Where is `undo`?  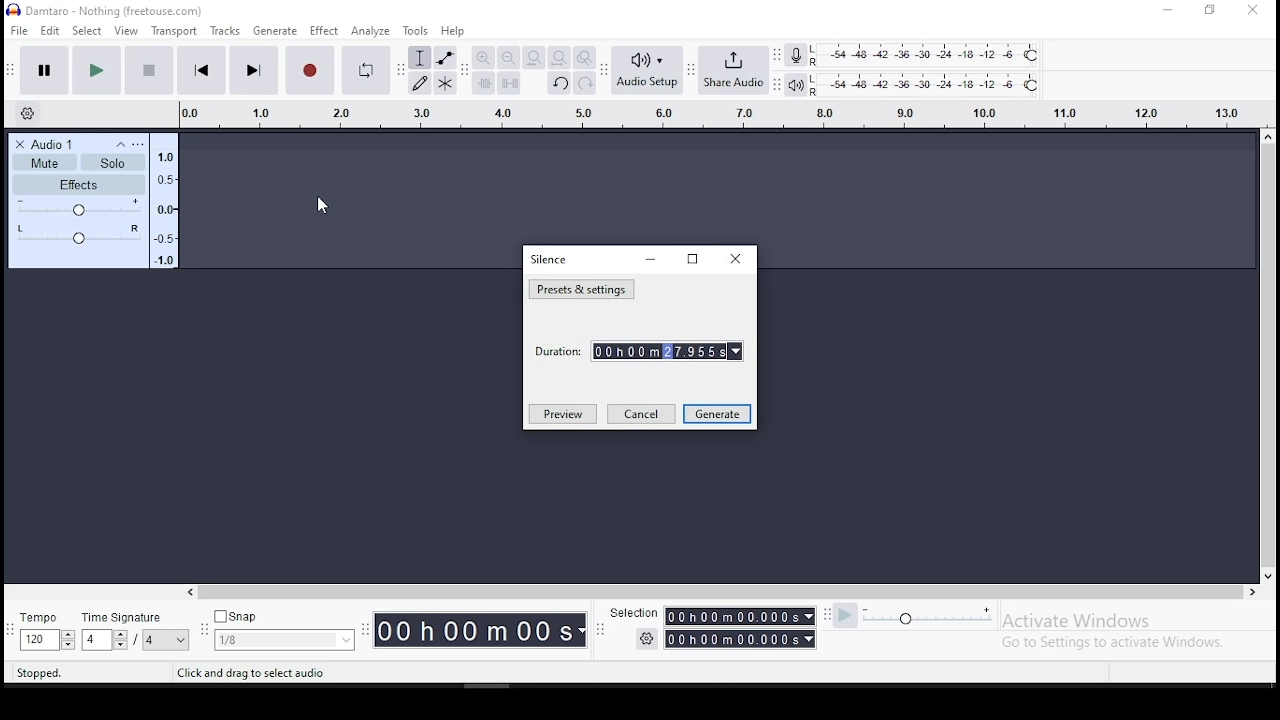
undo is located at coordinates (560, 82).